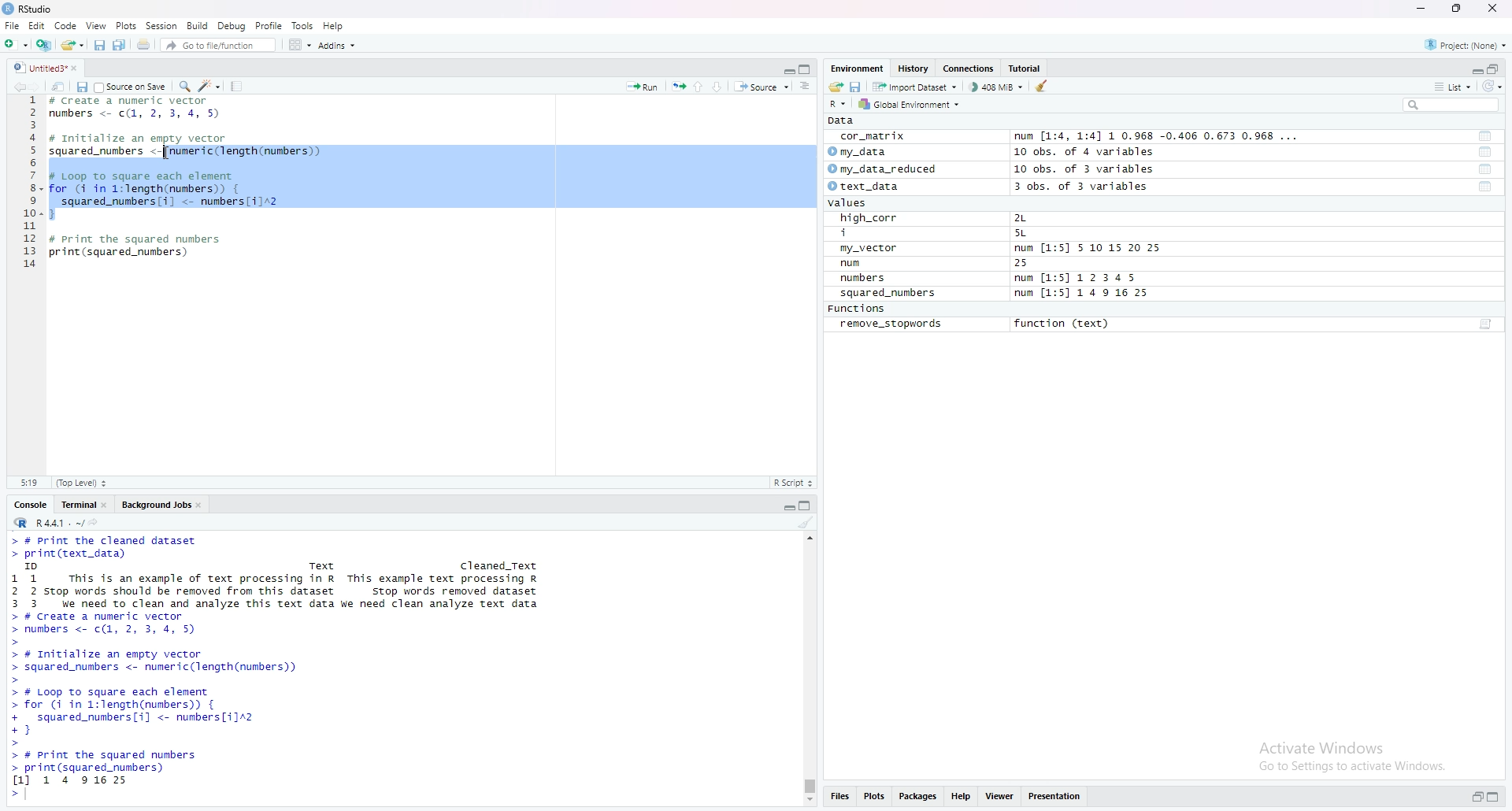 The height and width of the screenshot is (811, 1512). I want to click on # Loop to square each element

for (i in 1:length(nunbers)) {
squared_numbers(i] <- numbers [i142

}, so click(168, 194).